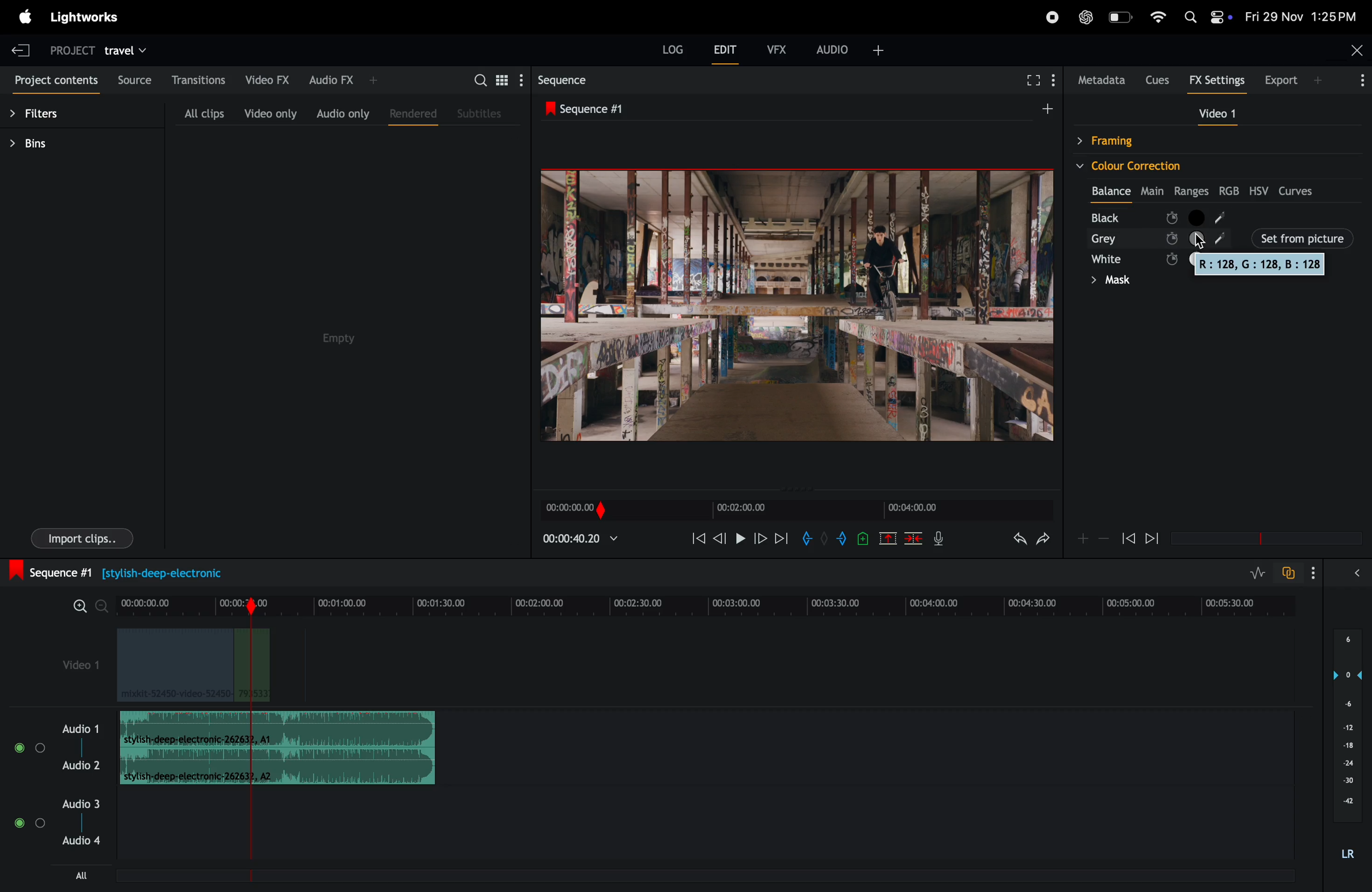  Describe the element at coordinates (1016, 541) in the screenshot. I see `undo` at that location.